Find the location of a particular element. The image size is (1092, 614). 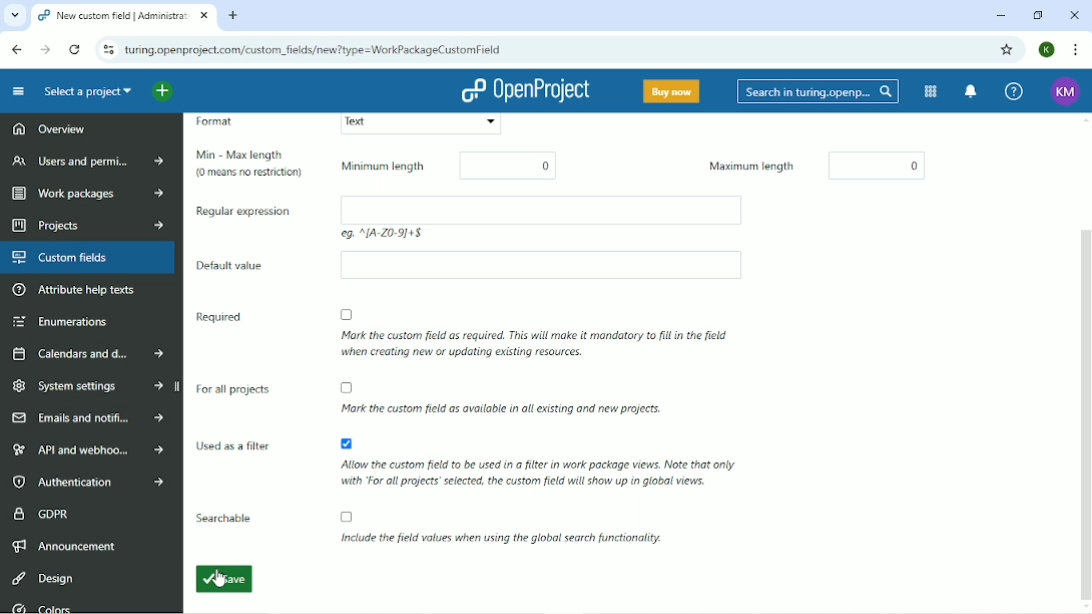

Open quick add menu is located at coordinates (175, 91).